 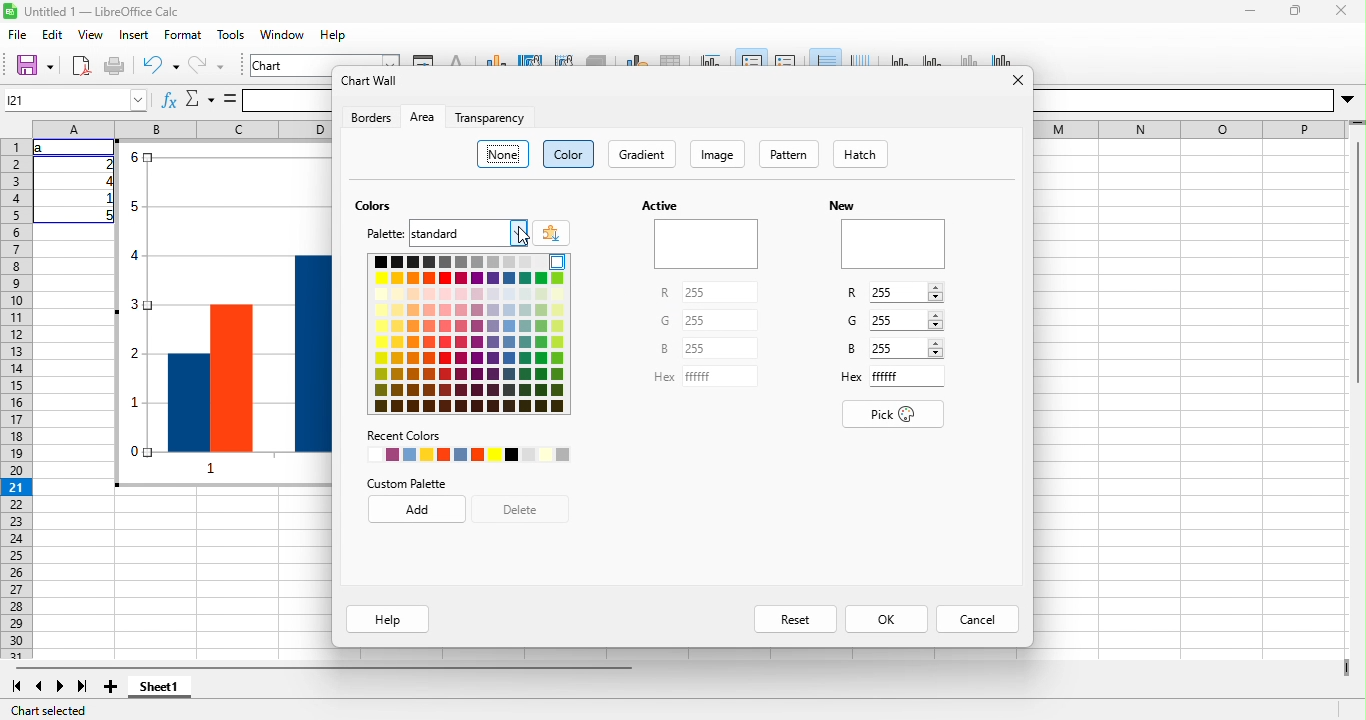 What do you see at coordinates (712, 59) in the screenshot?
I see `title` at bounding box center [712, 59].